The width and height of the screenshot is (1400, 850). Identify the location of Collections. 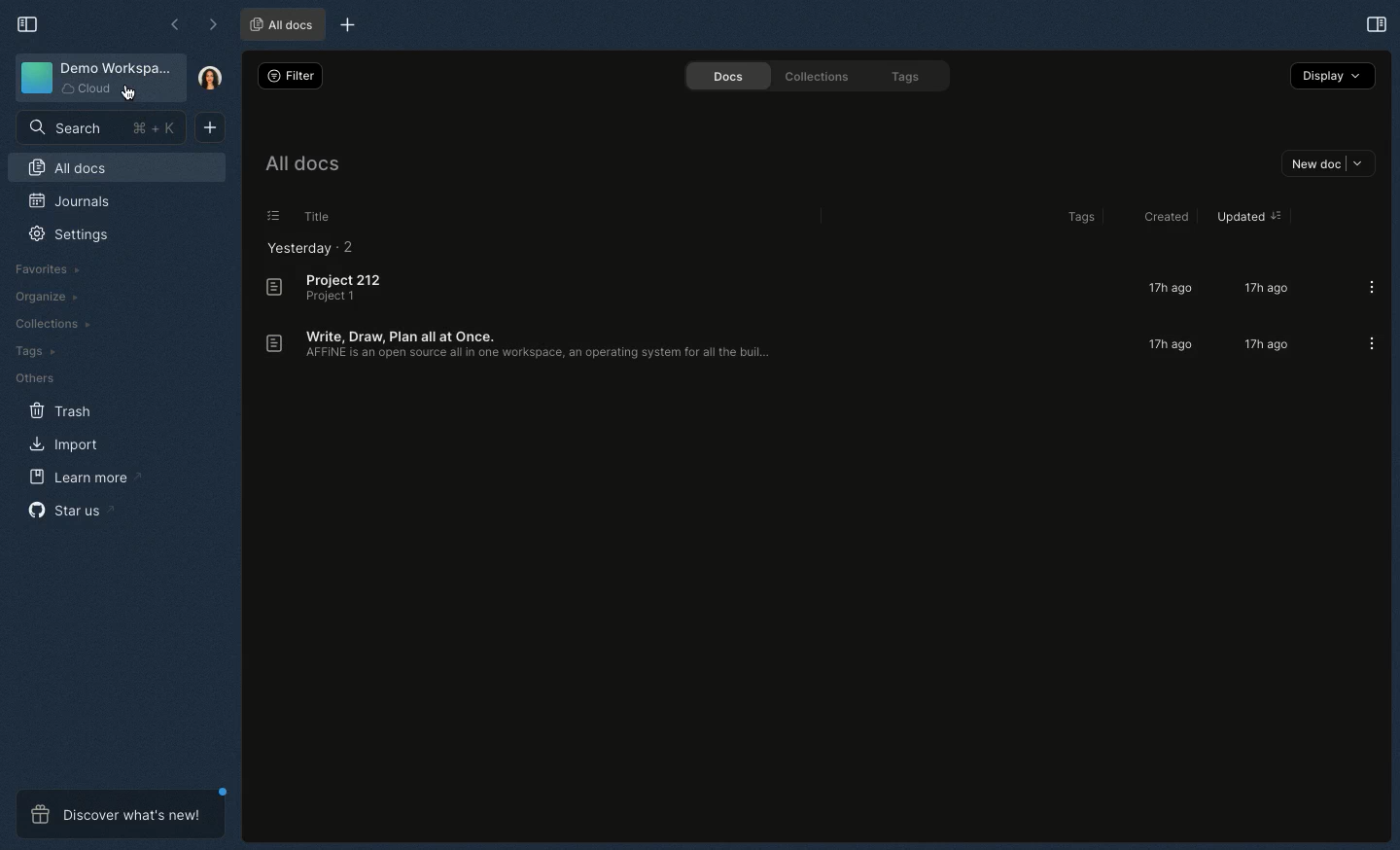
(52, 322).